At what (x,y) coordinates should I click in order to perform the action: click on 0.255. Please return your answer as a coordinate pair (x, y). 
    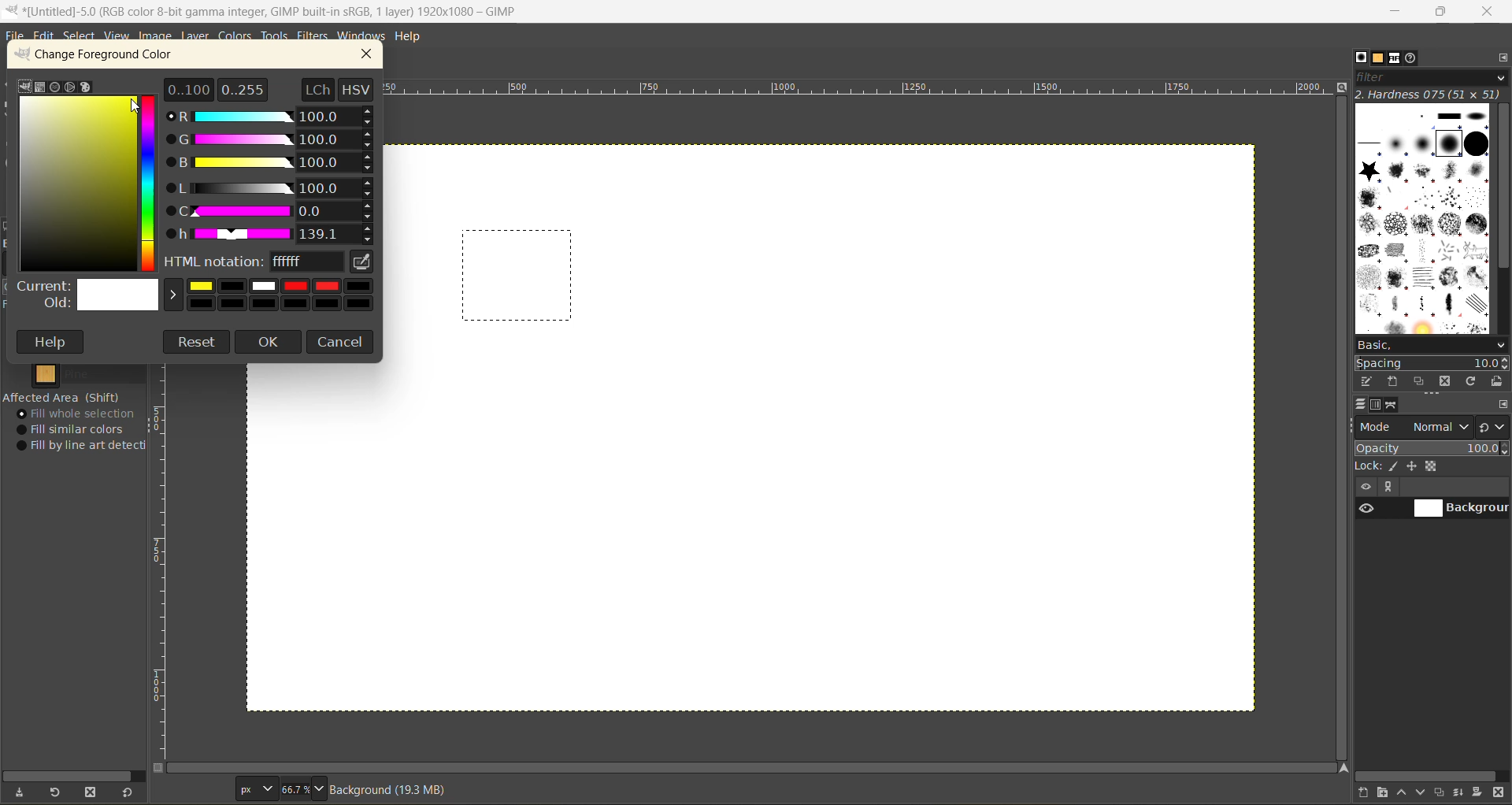
    Looking at the image, I should click on (243, 87).